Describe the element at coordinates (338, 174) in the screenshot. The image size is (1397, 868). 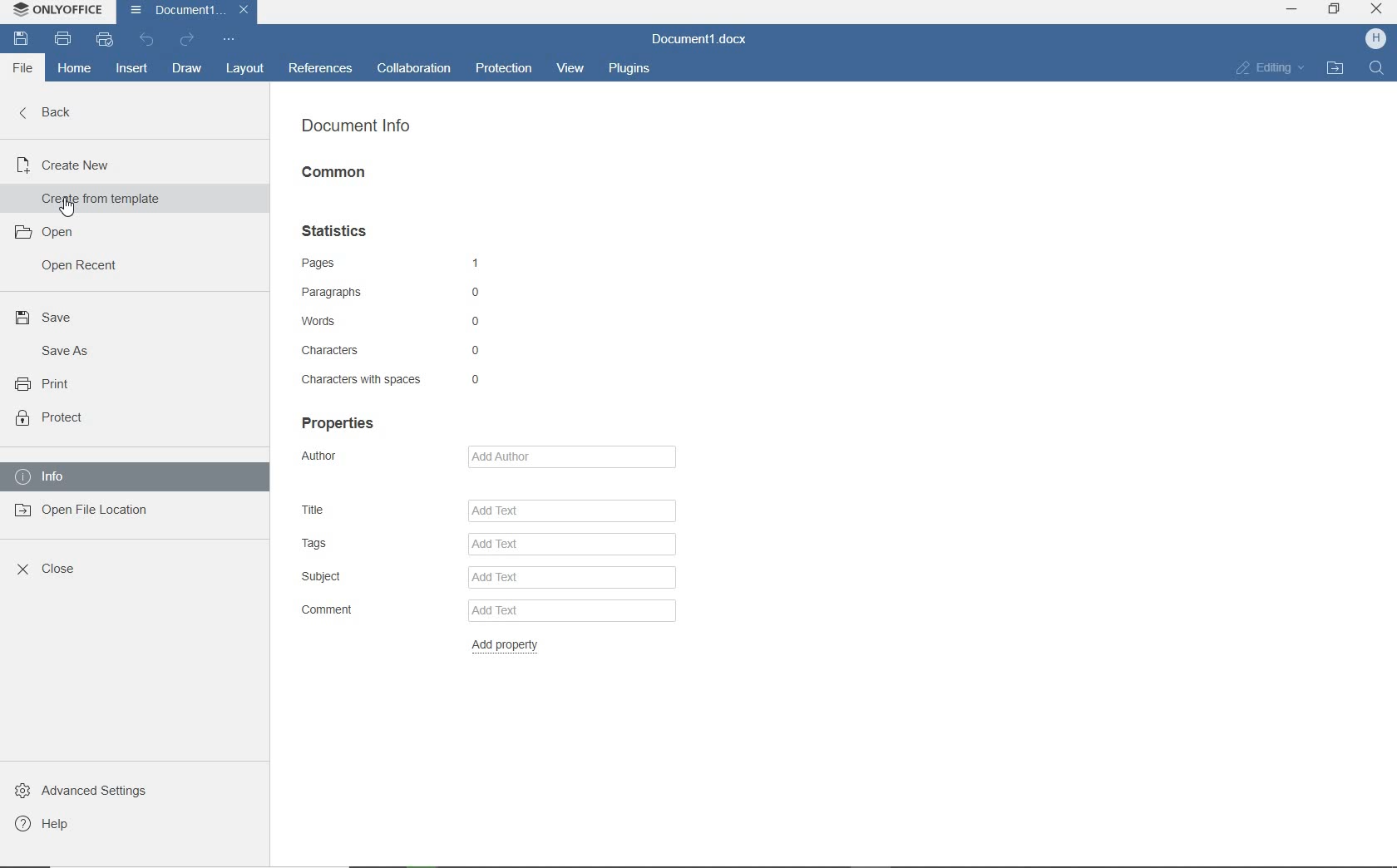
I see `common` at that location.